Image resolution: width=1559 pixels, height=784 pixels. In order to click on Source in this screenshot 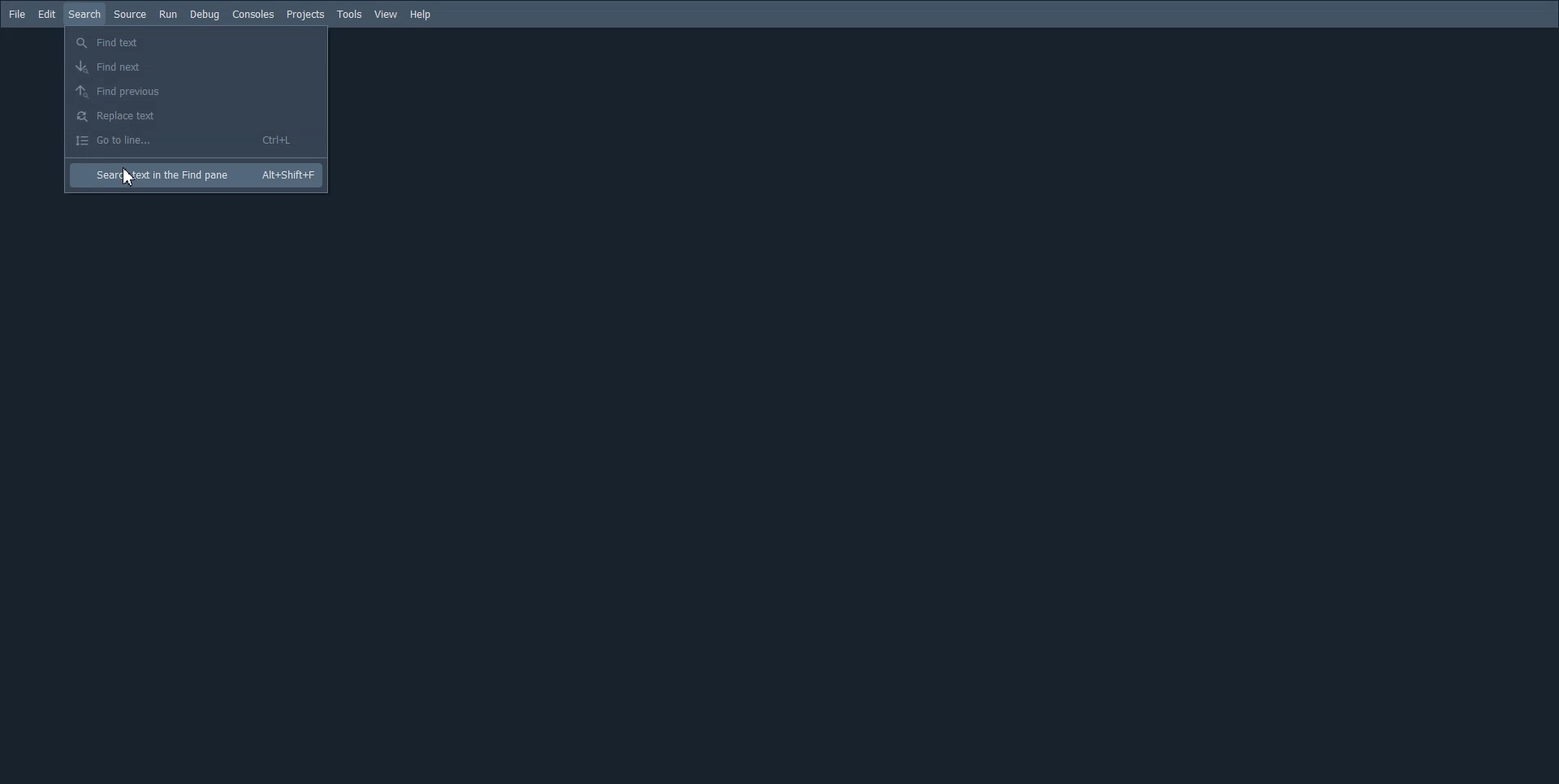, I will do `click(130, 14)`.